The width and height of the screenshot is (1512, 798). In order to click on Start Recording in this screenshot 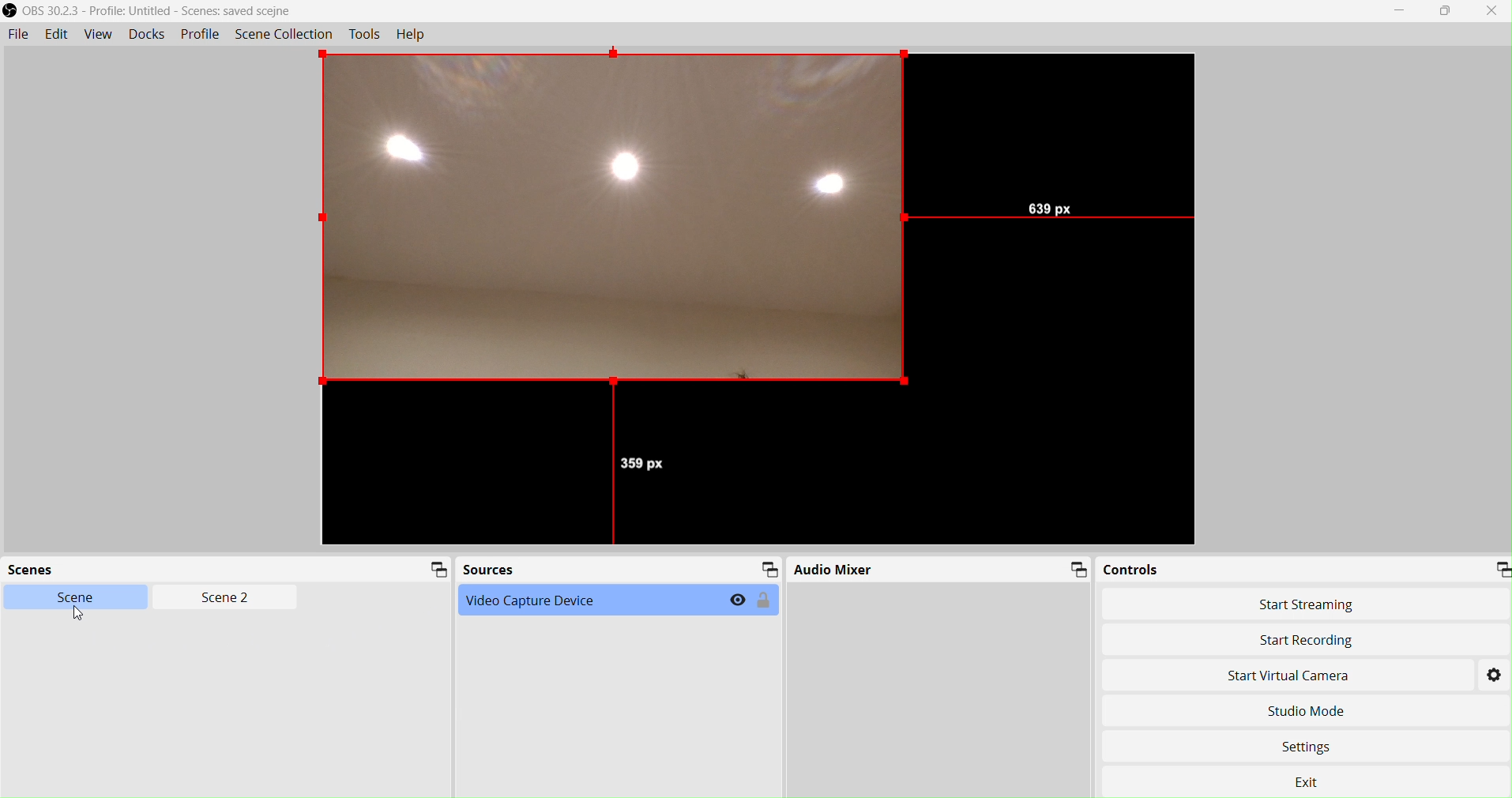, I will do `click(1307, 641)`.